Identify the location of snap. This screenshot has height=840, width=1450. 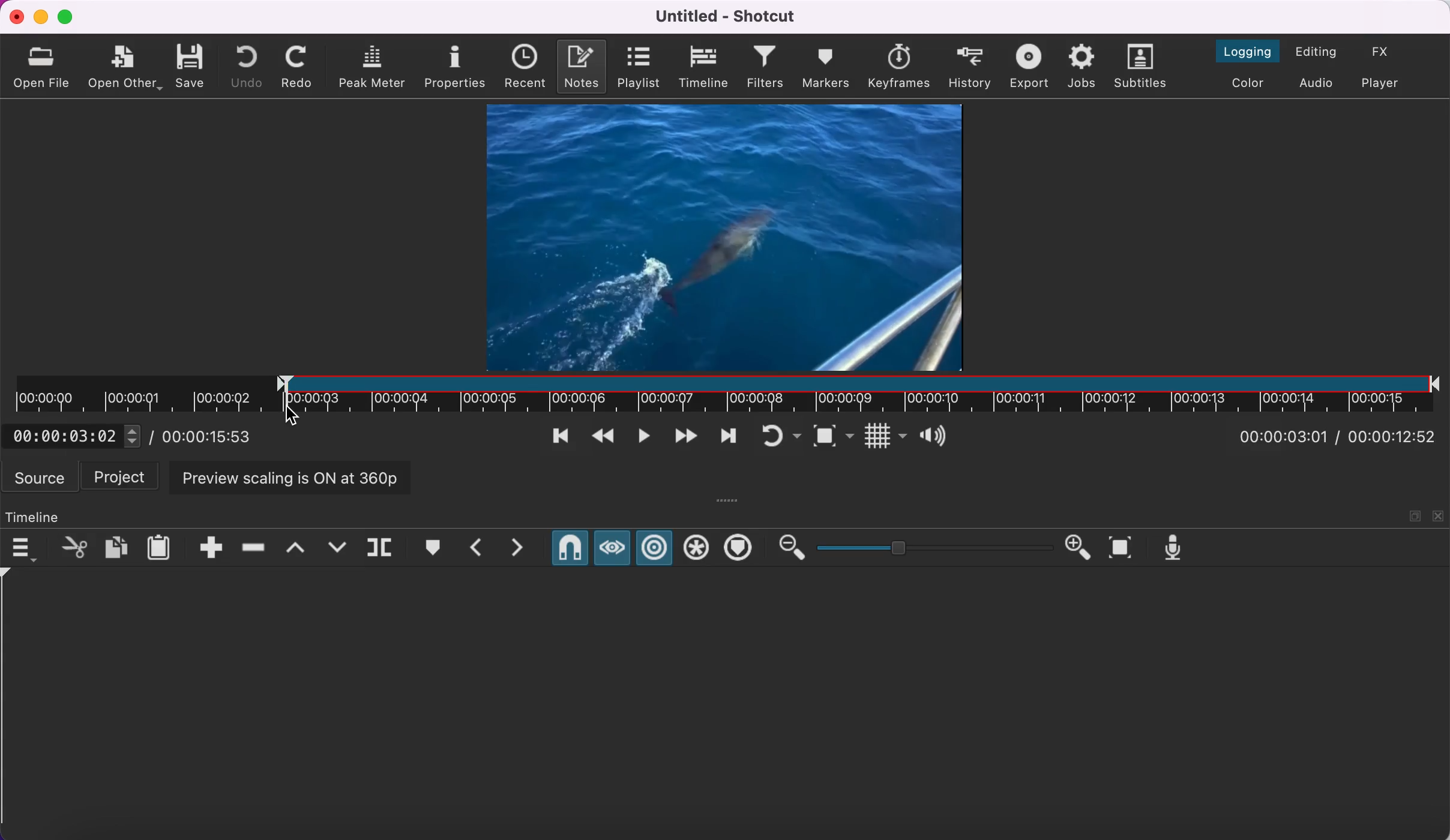
(568, 548).